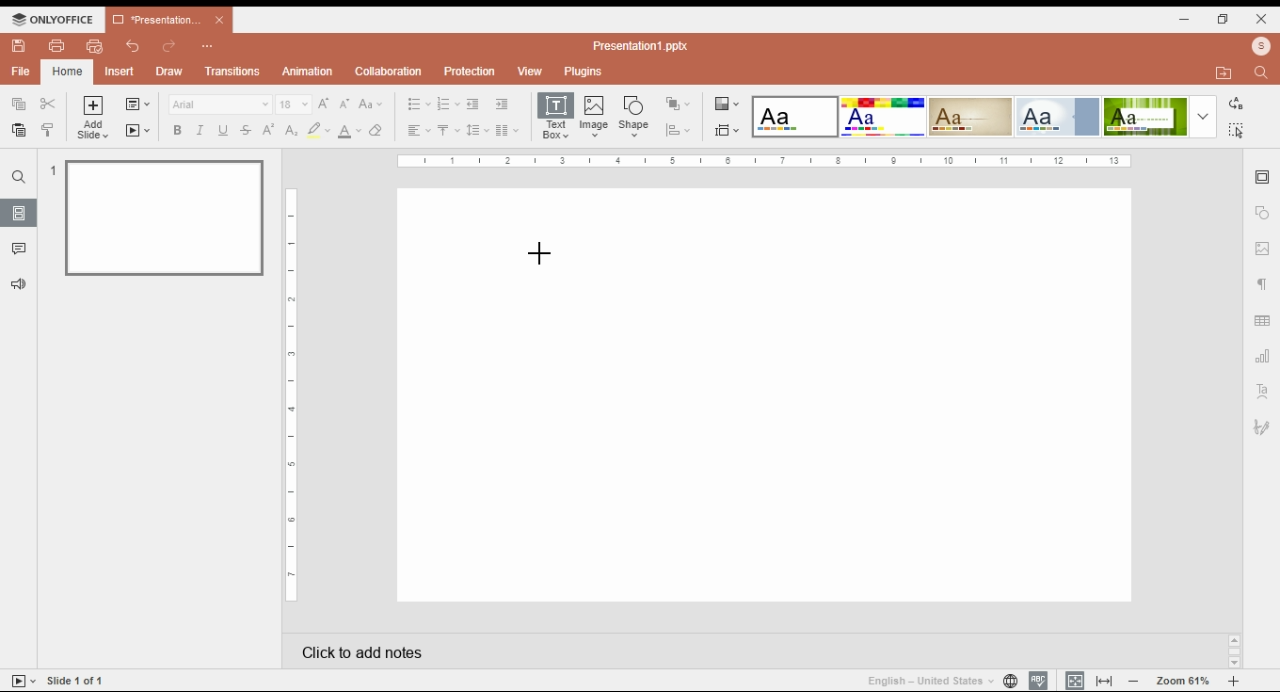 This screenshot has height=692, width=1280. What do you see at coordinates (268, 130) in the screenshot?
I see `superscript` at bounding box center [268, 130].